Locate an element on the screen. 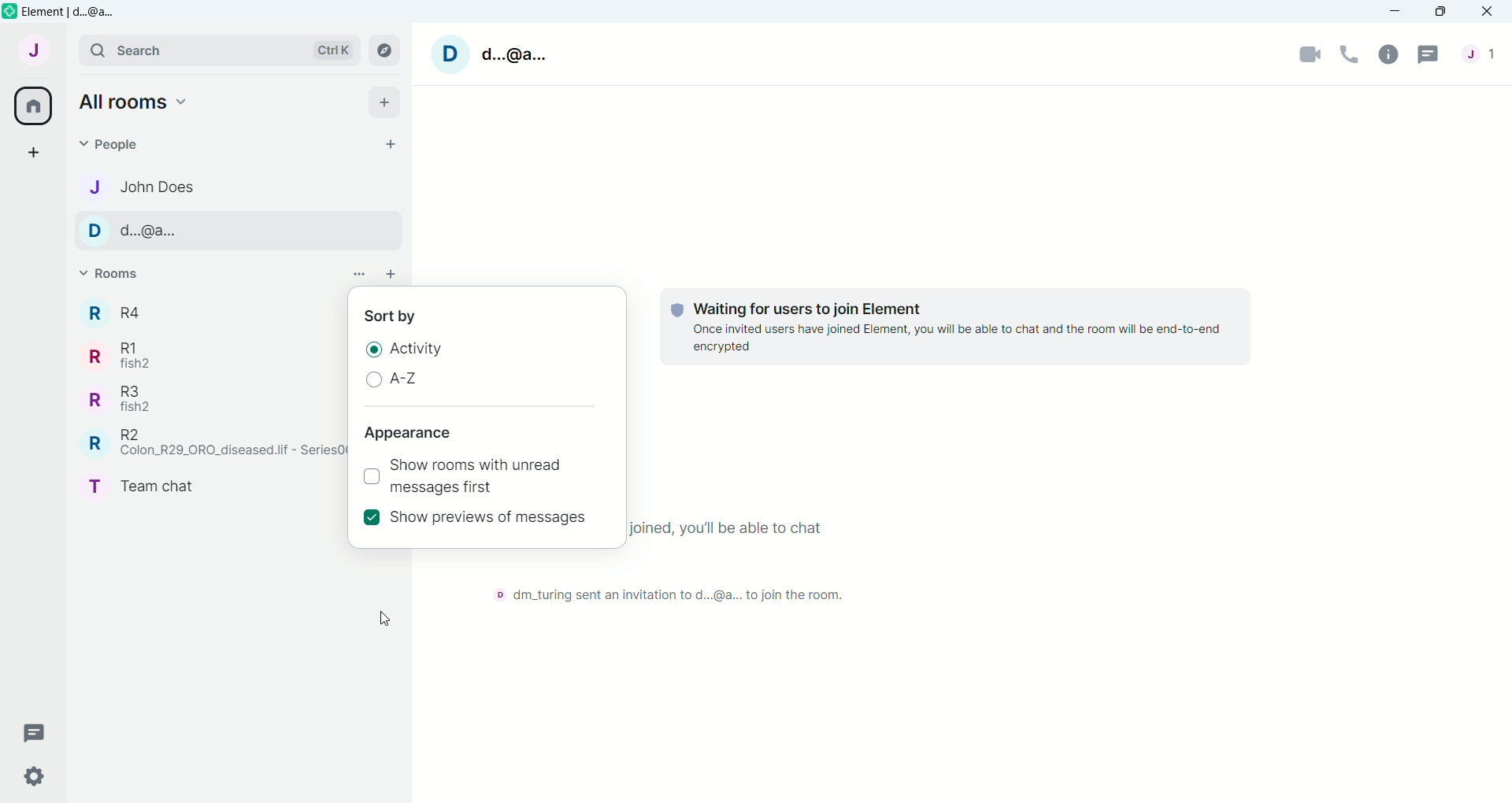 Image resolution: width=1512 pixels, height=803 pixels. People is located at coordinates (1483, 54).